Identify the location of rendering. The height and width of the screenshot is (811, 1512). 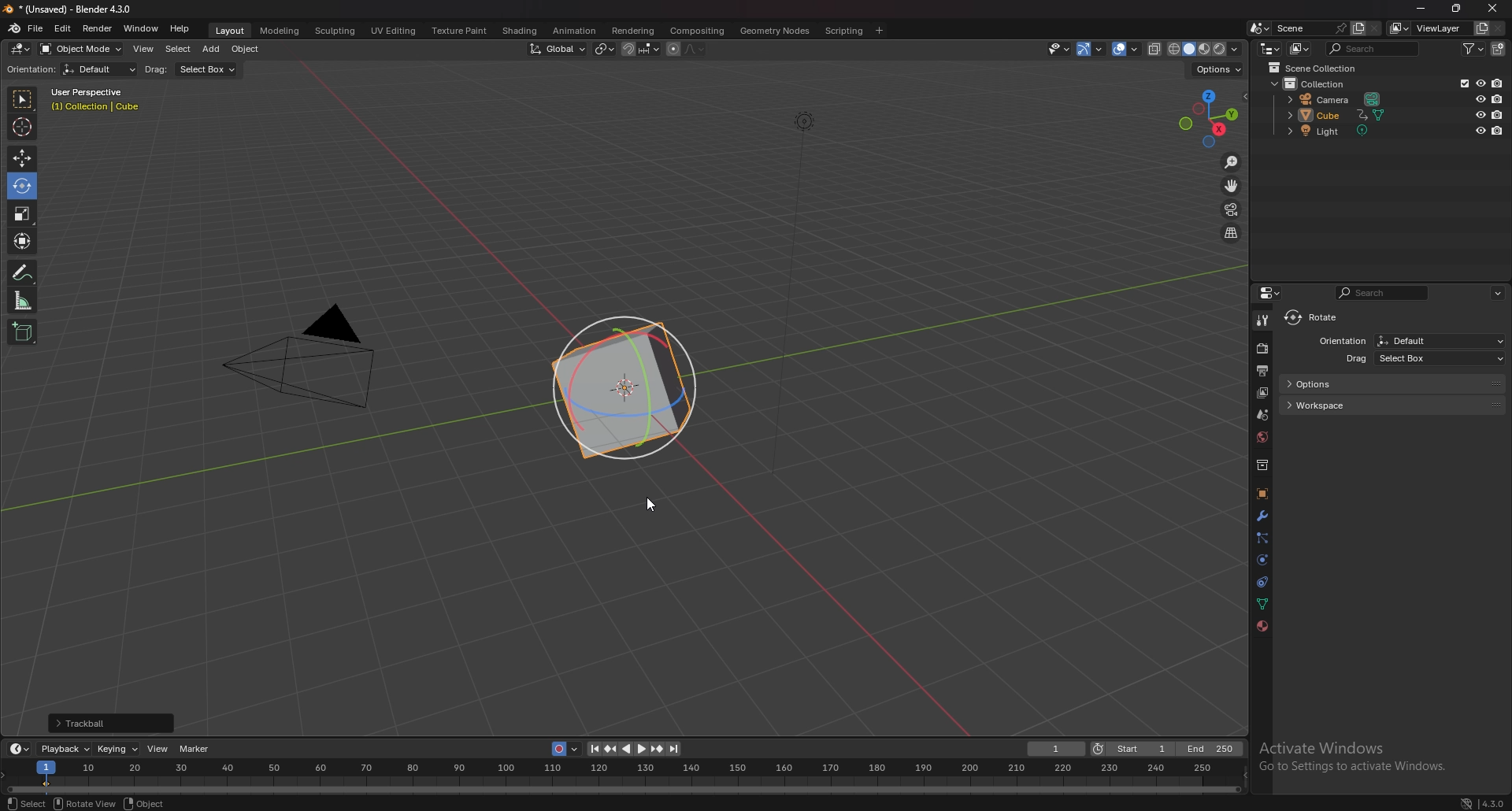
(632, 30).